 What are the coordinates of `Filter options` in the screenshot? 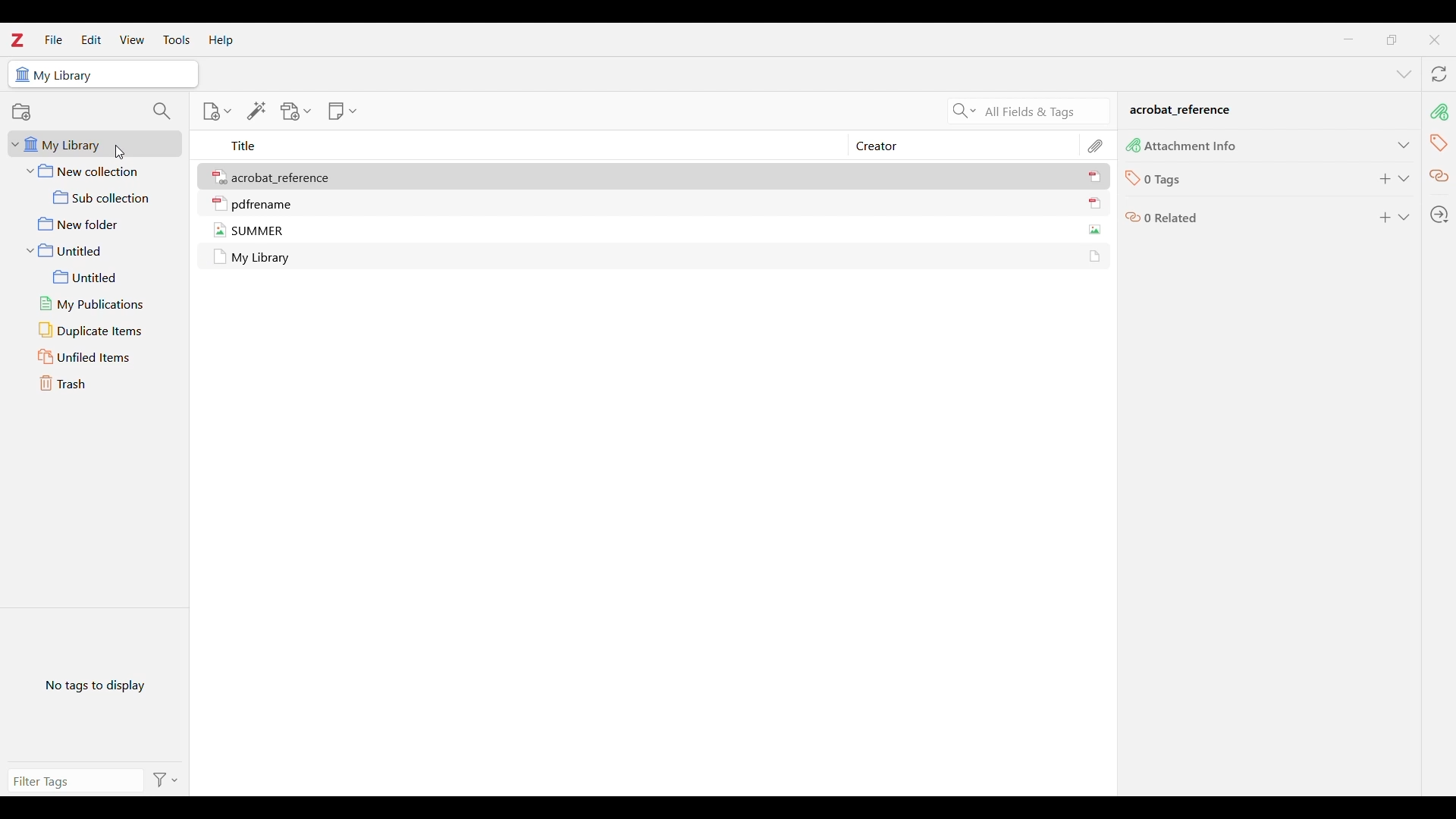 It's located at (163, 780).